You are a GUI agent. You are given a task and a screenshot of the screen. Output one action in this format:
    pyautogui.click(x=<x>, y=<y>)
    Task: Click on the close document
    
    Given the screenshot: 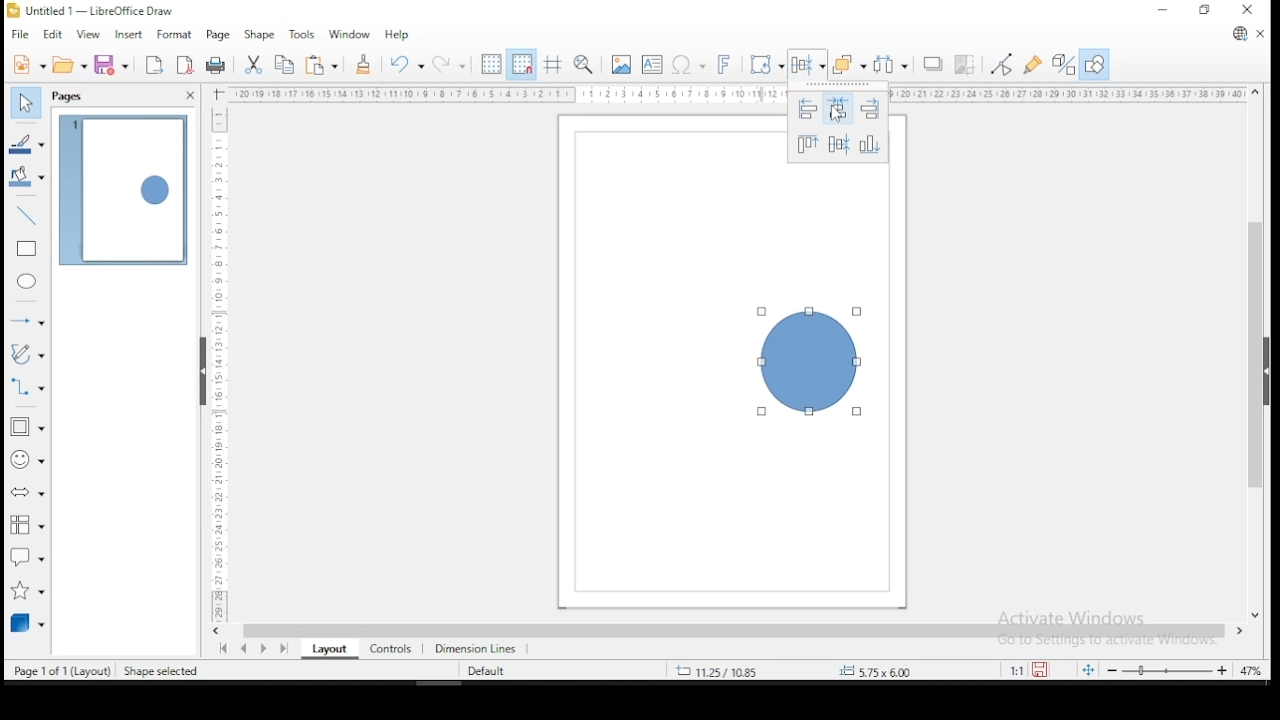 What is the action you would take?
    pyautogui.click(x=1260, y=32)
    